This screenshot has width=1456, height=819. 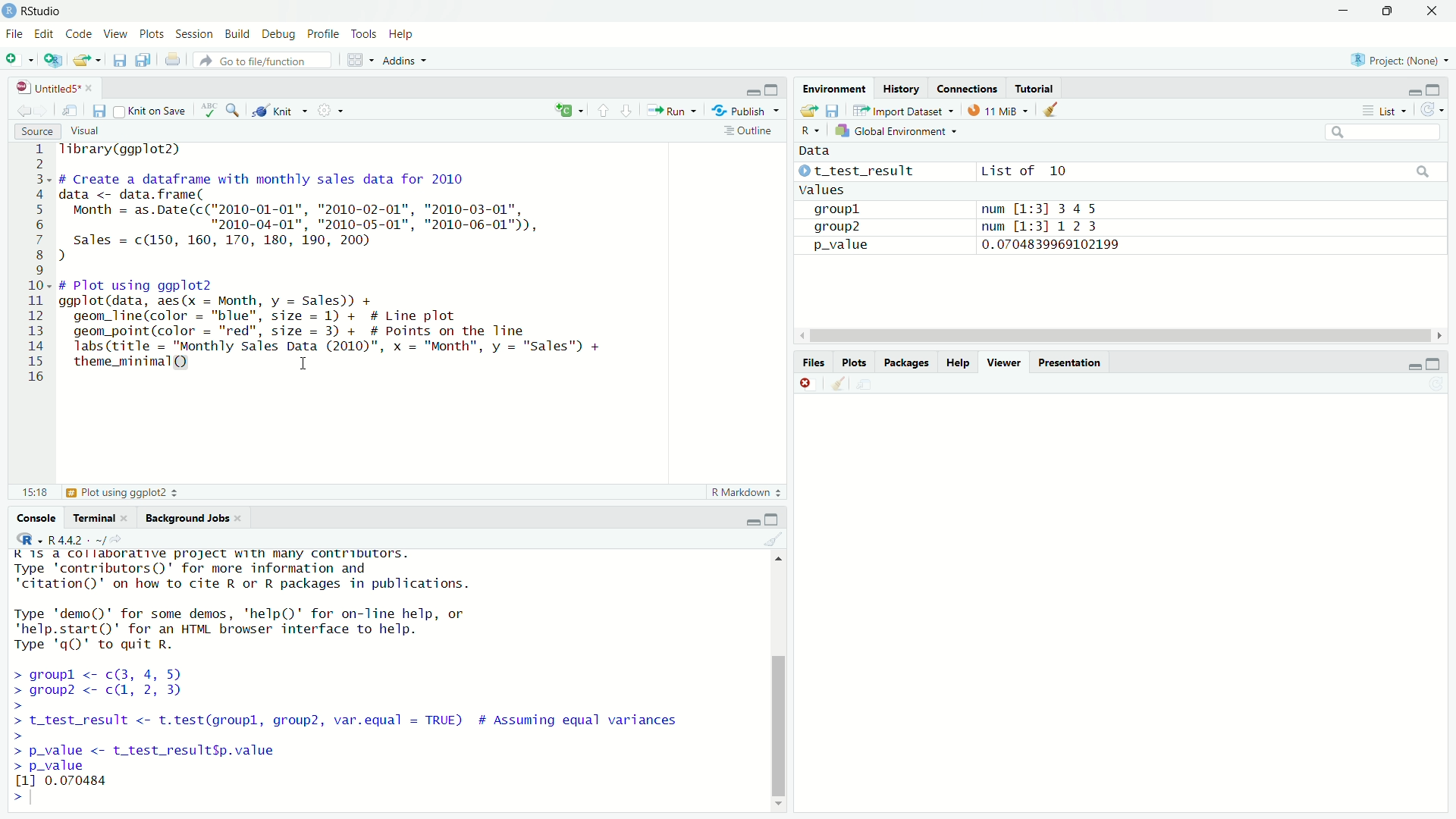 I want to click on load workspace, so click(x=809, y=111).